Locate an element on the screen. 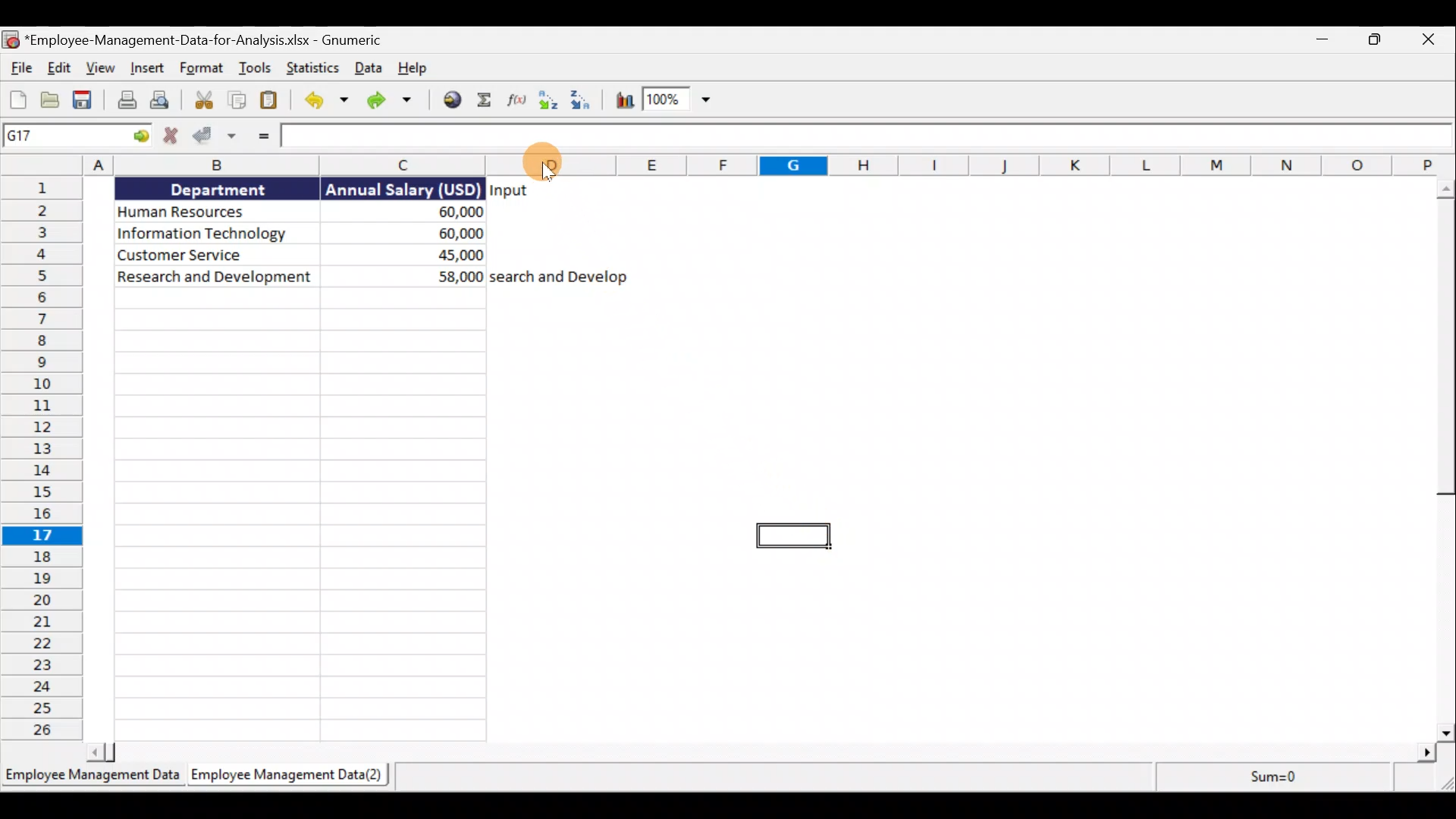  View is located at coordinates (103, 65).